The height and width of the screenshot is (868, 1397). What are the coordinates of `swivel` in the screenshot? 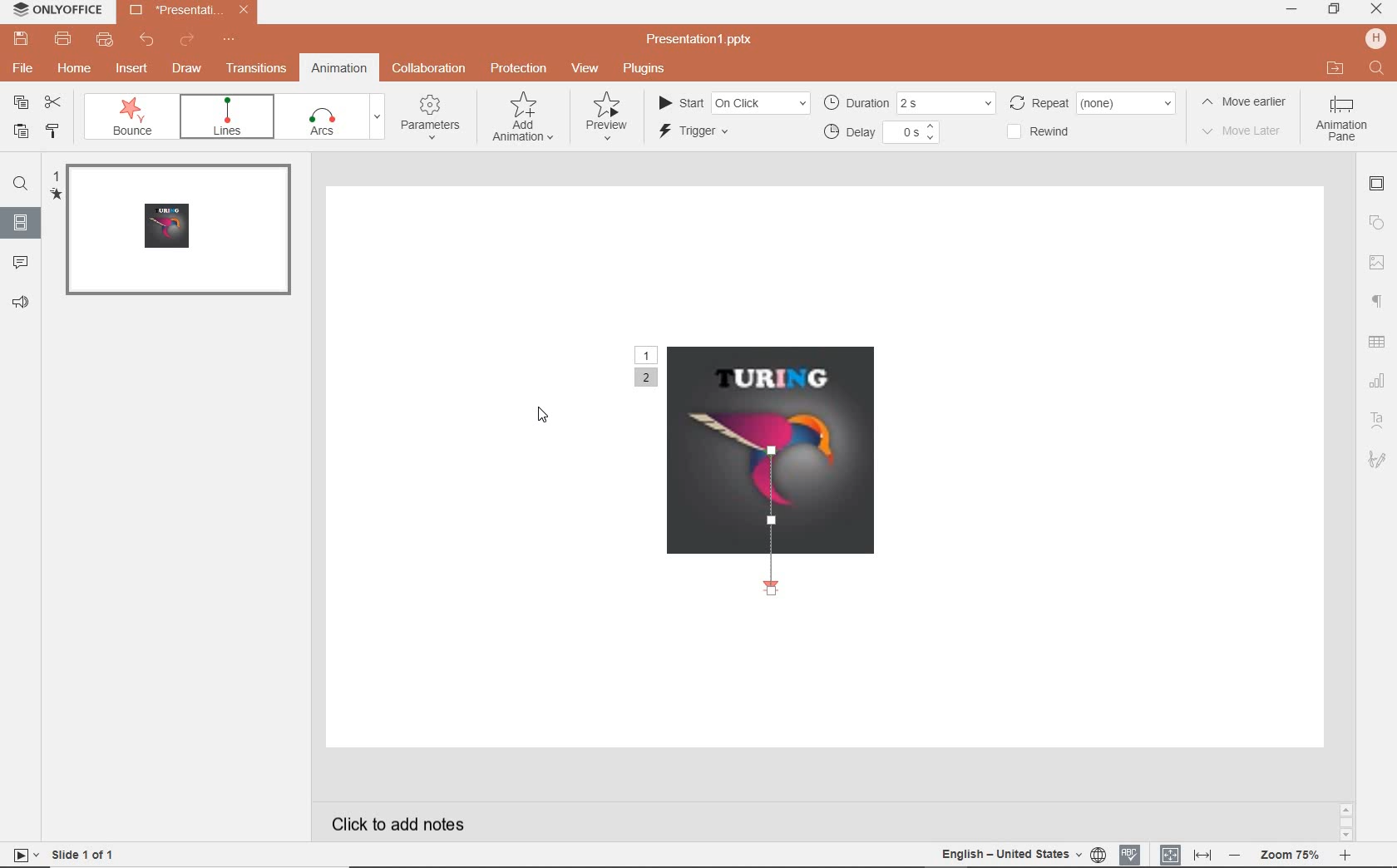 It's located at (131, 117).